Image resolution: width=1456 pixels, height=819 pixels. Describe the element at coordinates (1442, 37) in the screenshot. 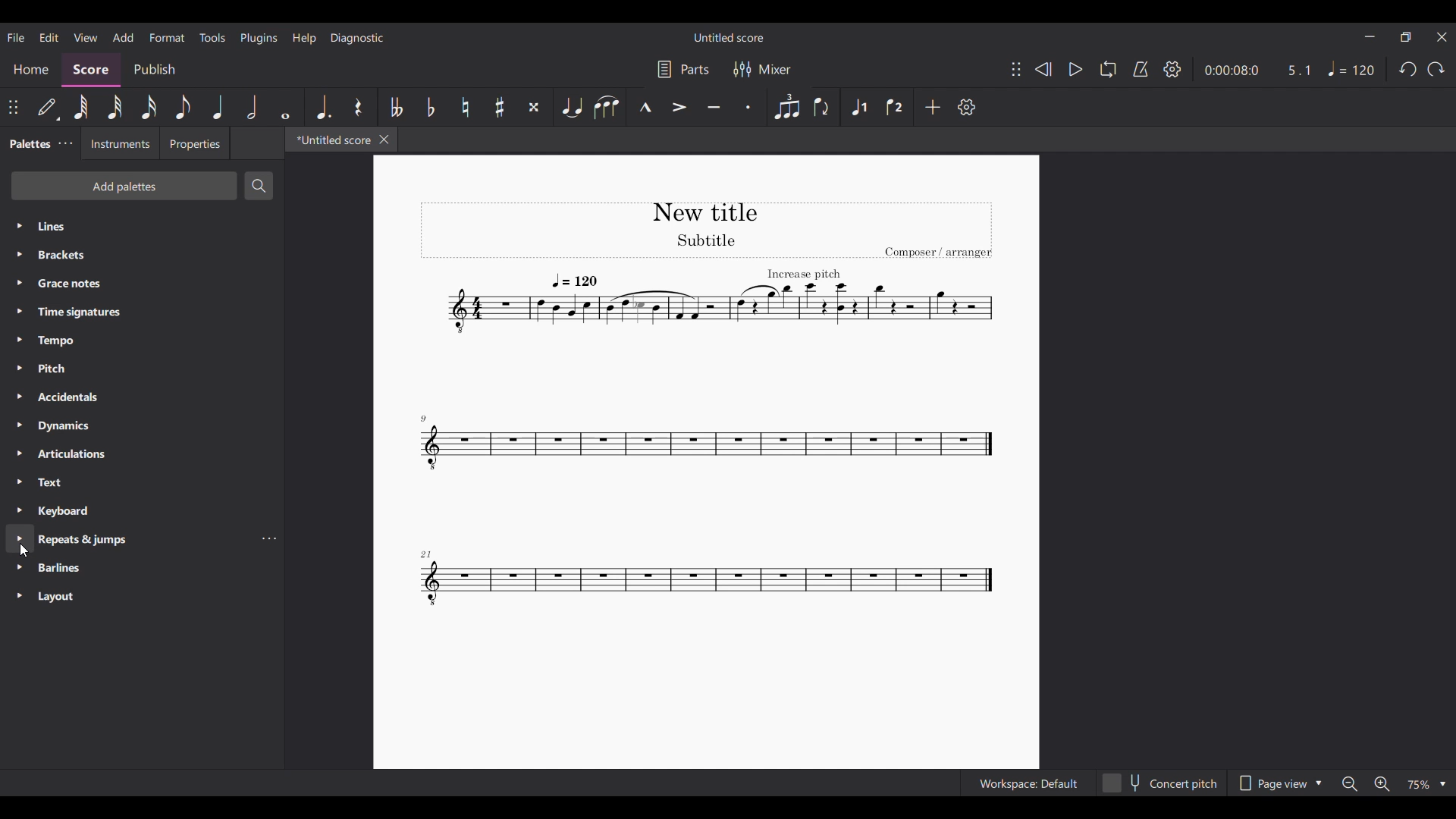

I see `Close interface` at that location.